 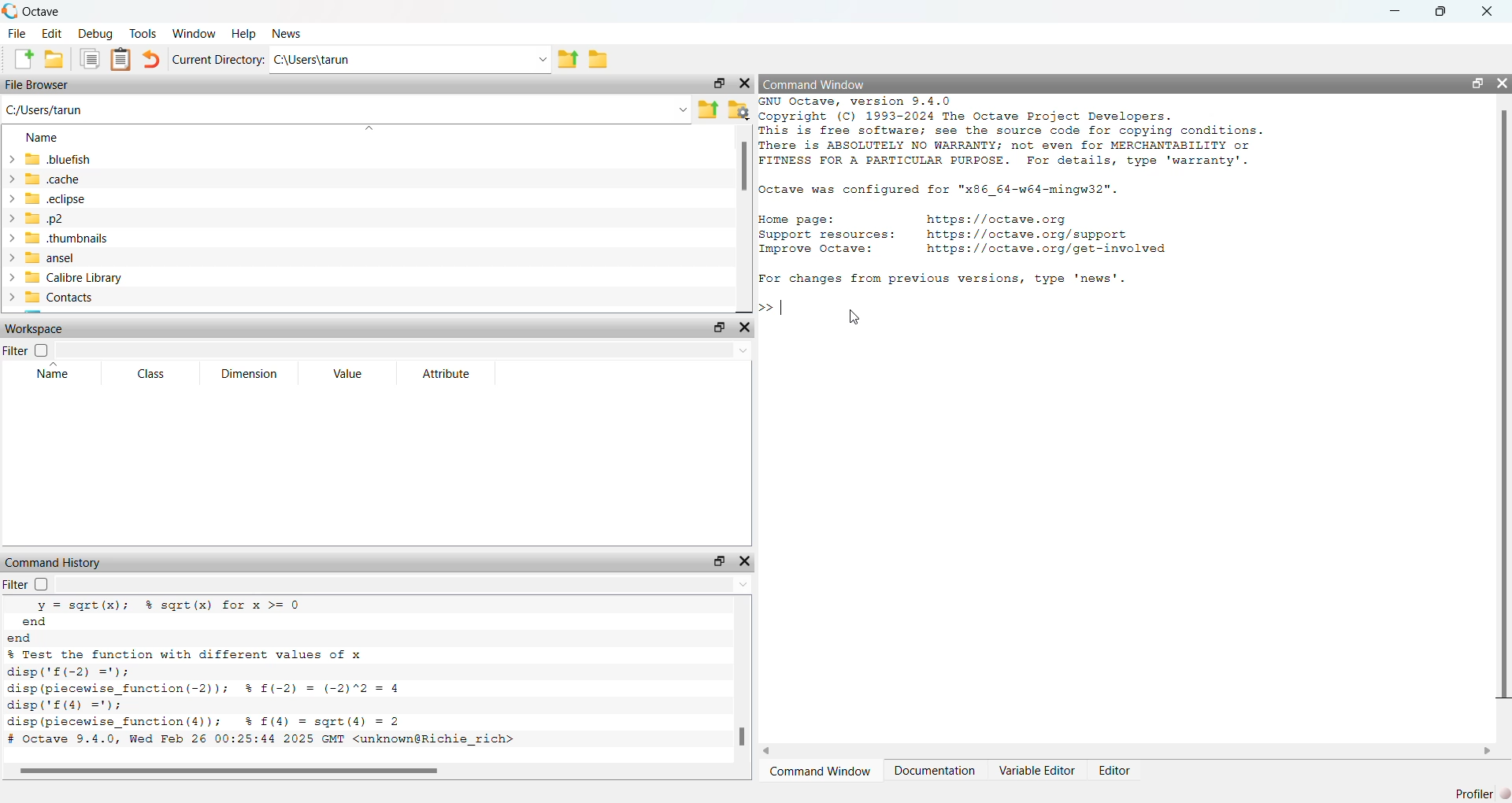 What do you see at coordinates (717, 327) in the screenshot?
I see `Maximize/Restore` at bounding box center [717, 327].